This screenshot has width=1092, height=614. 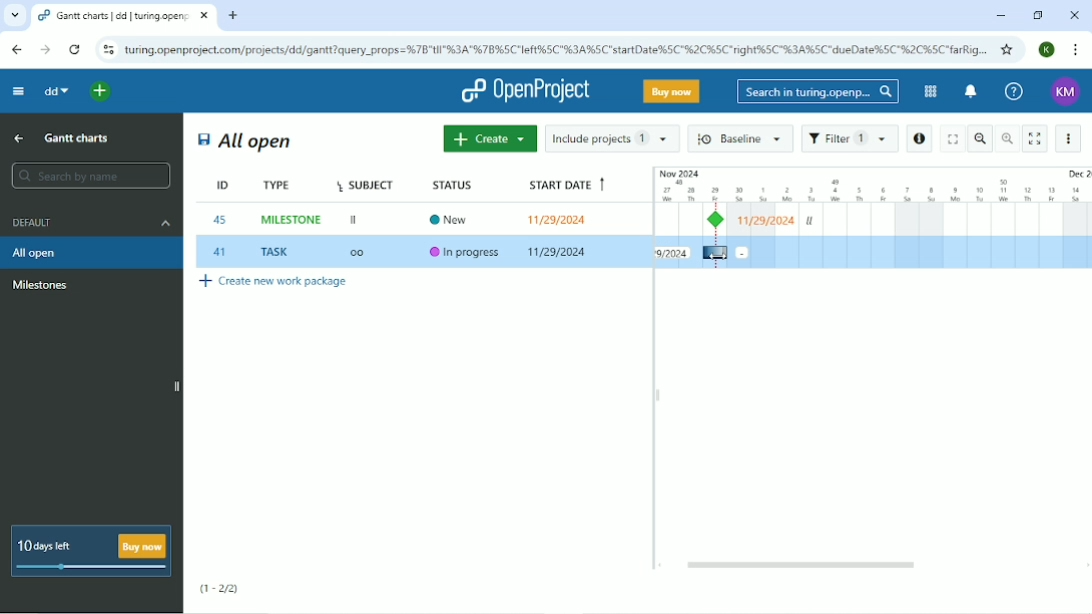 I want to click on Start date, so click(x=564, y=182).